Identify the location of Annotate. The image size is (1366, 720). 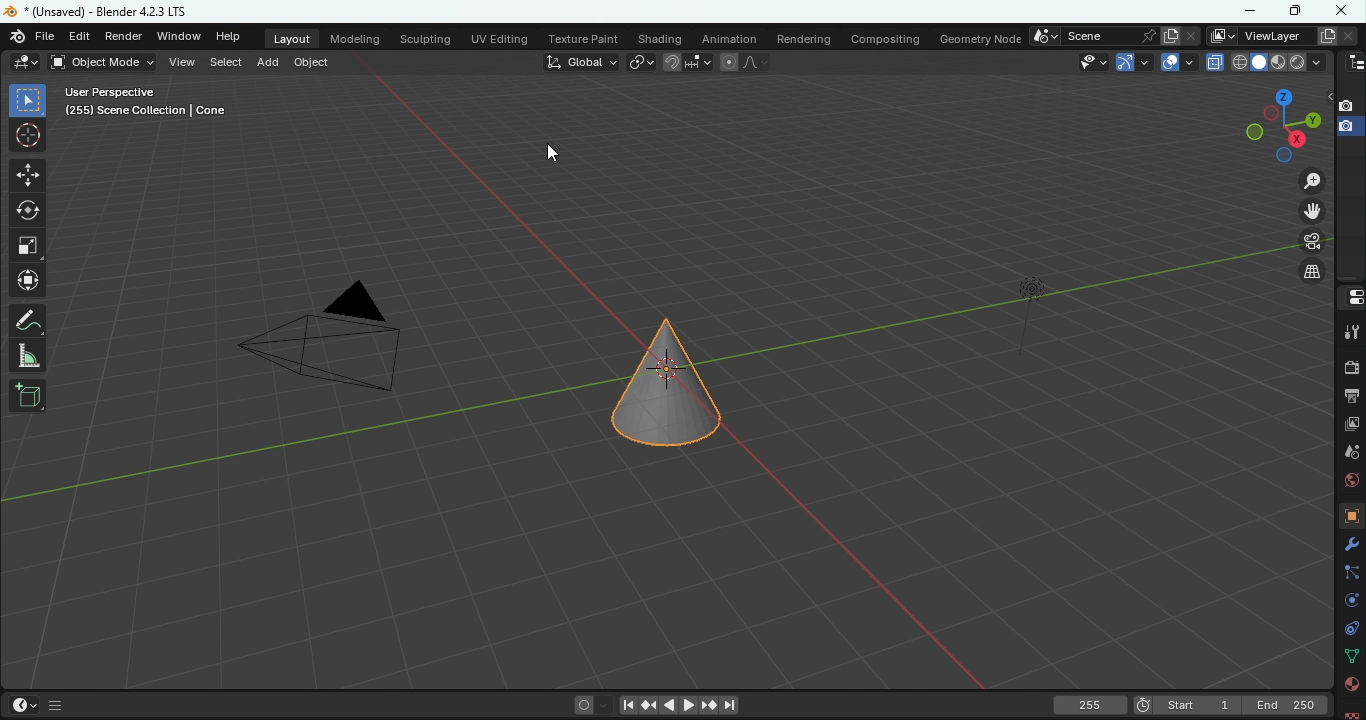
(30, 319).